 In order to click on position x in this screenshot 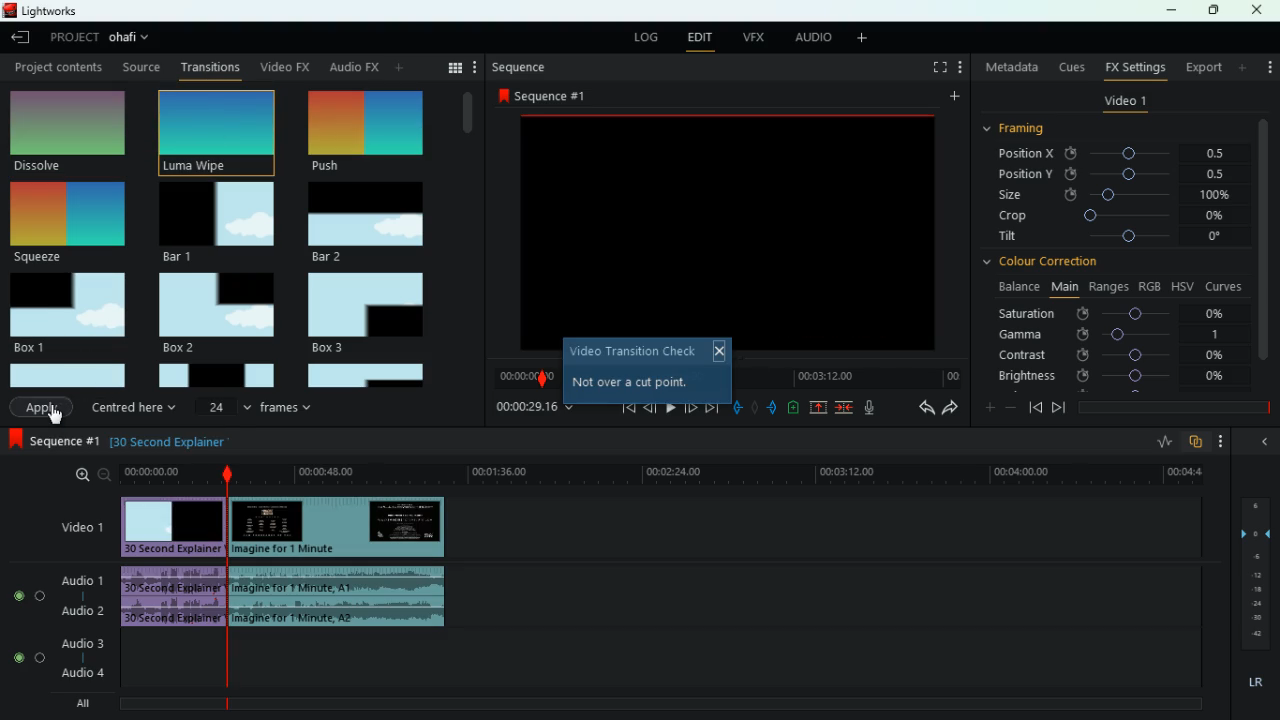, I will do `click(1122, 154)`.